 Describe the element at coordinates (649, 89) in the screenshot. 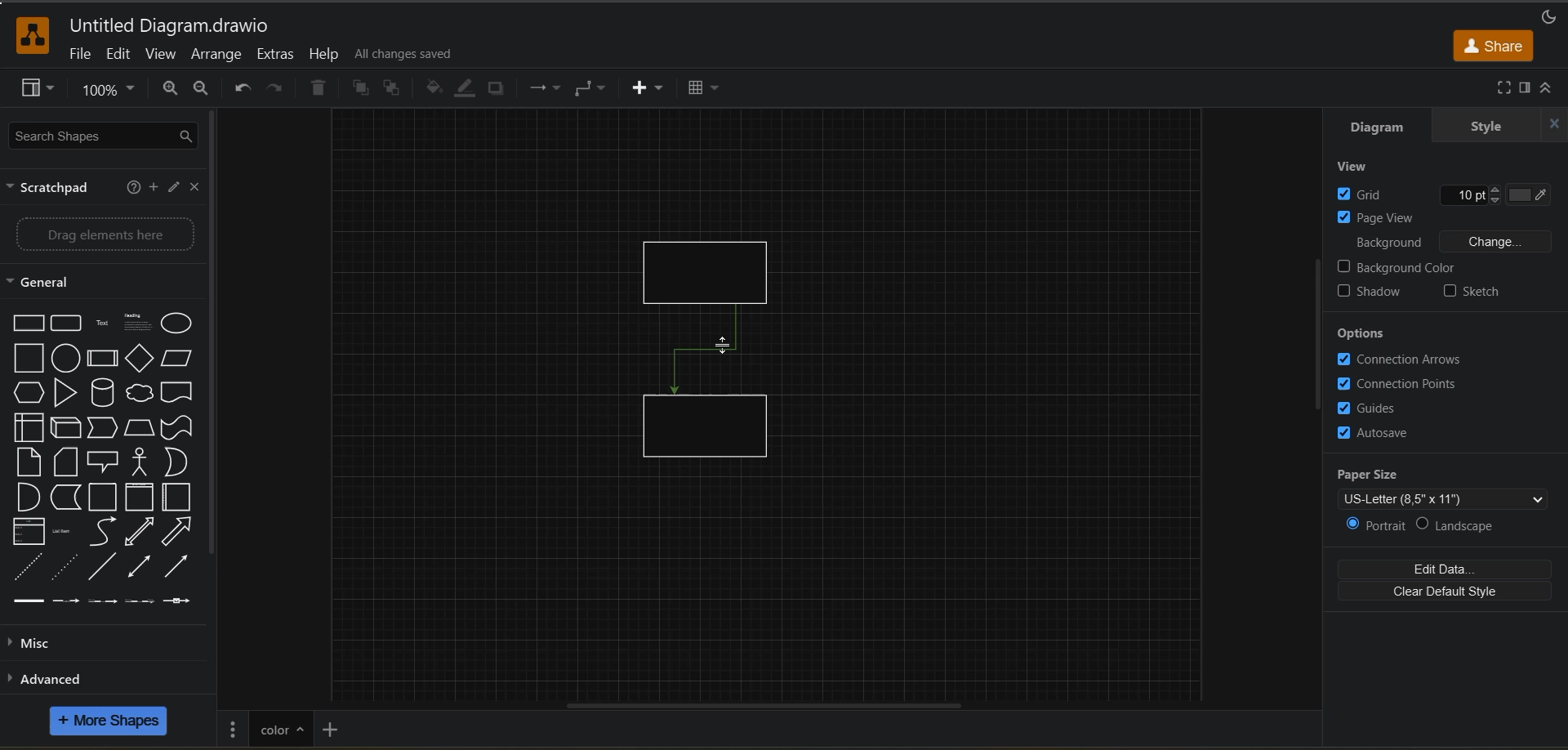

I see `insert` at that location.